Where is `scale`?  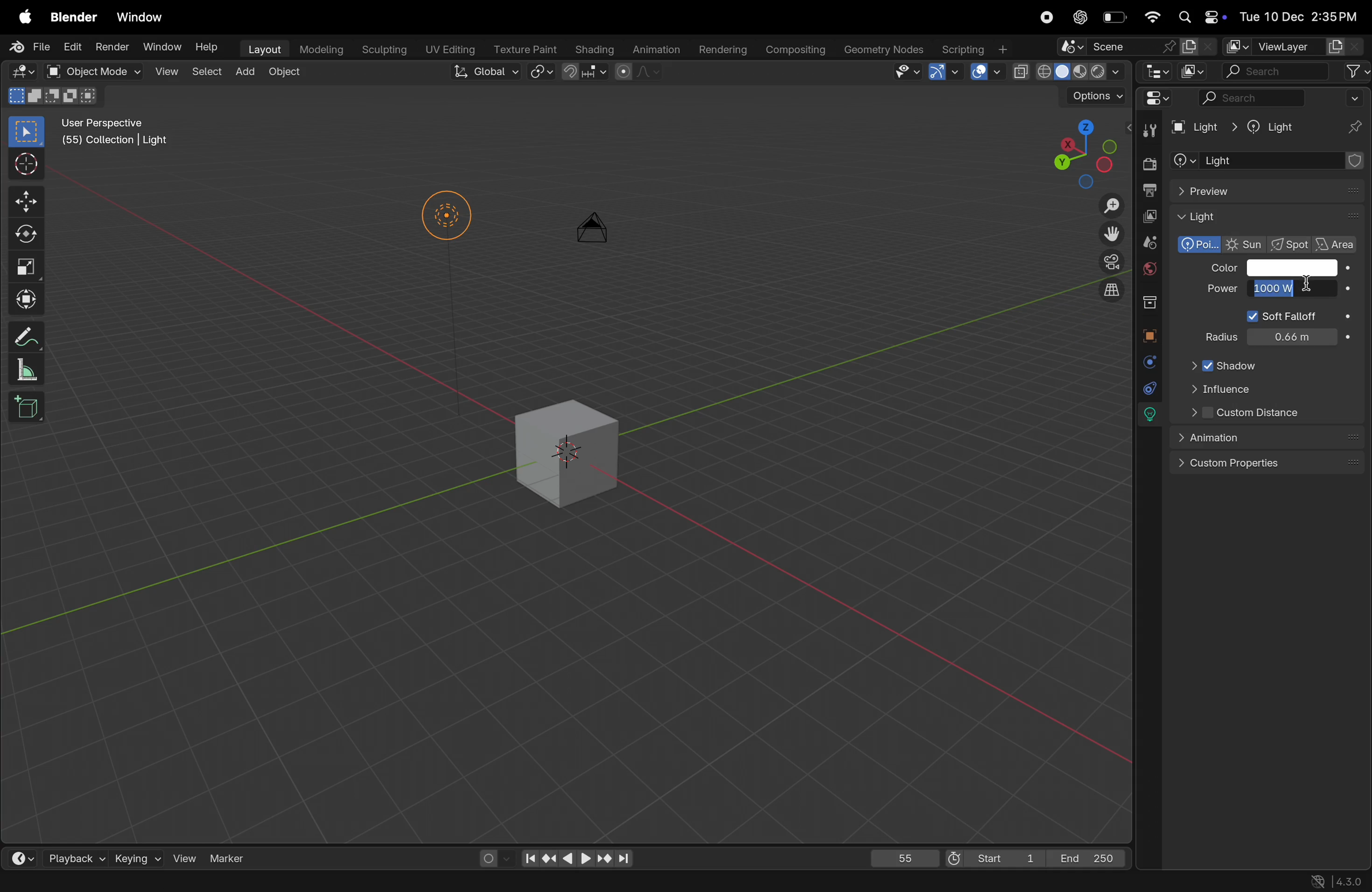 scale is located at coordinates (31, 269).